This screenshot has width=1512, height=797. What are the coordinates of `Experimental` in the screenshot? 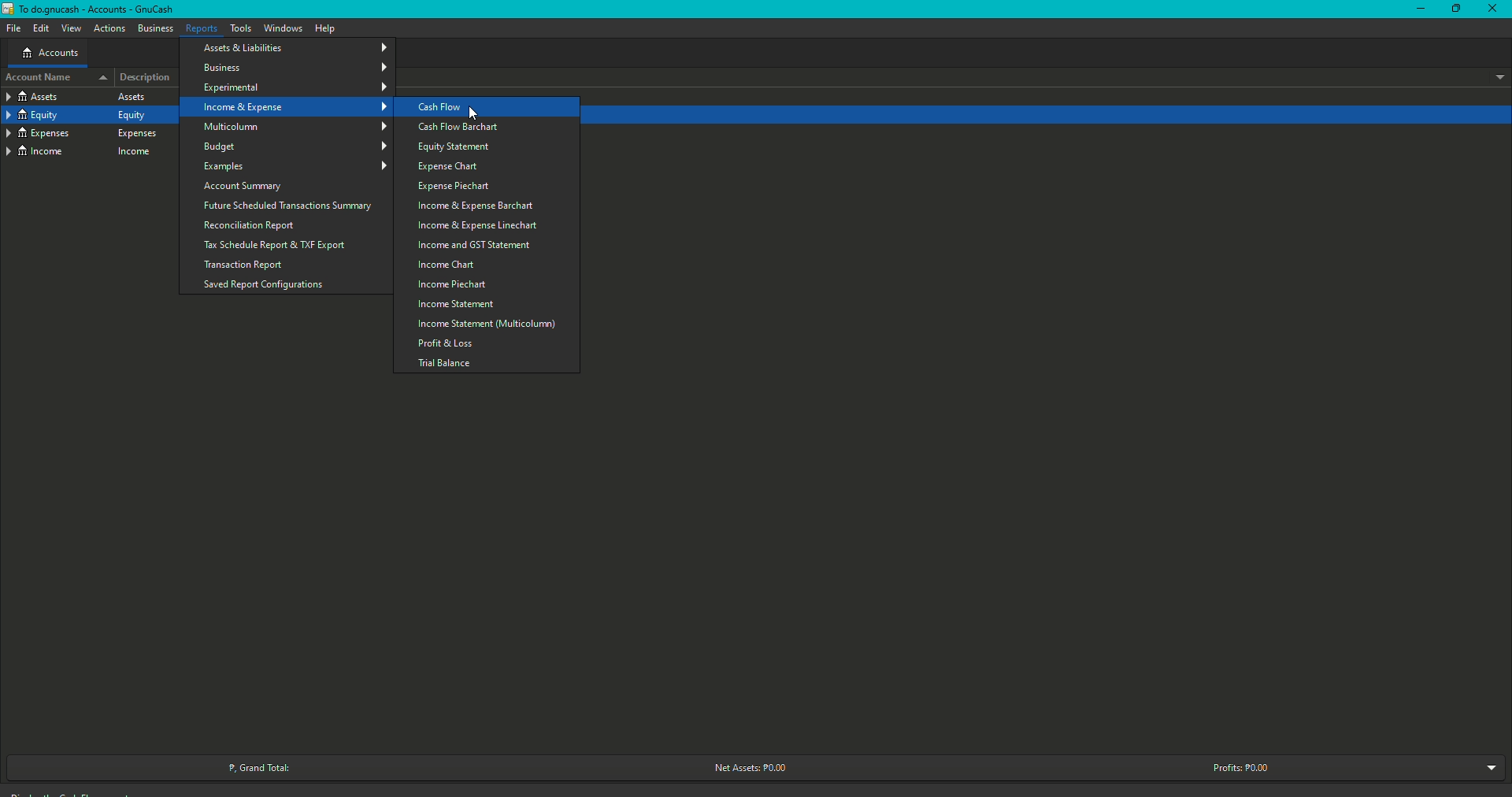 It's located at (295, 87).